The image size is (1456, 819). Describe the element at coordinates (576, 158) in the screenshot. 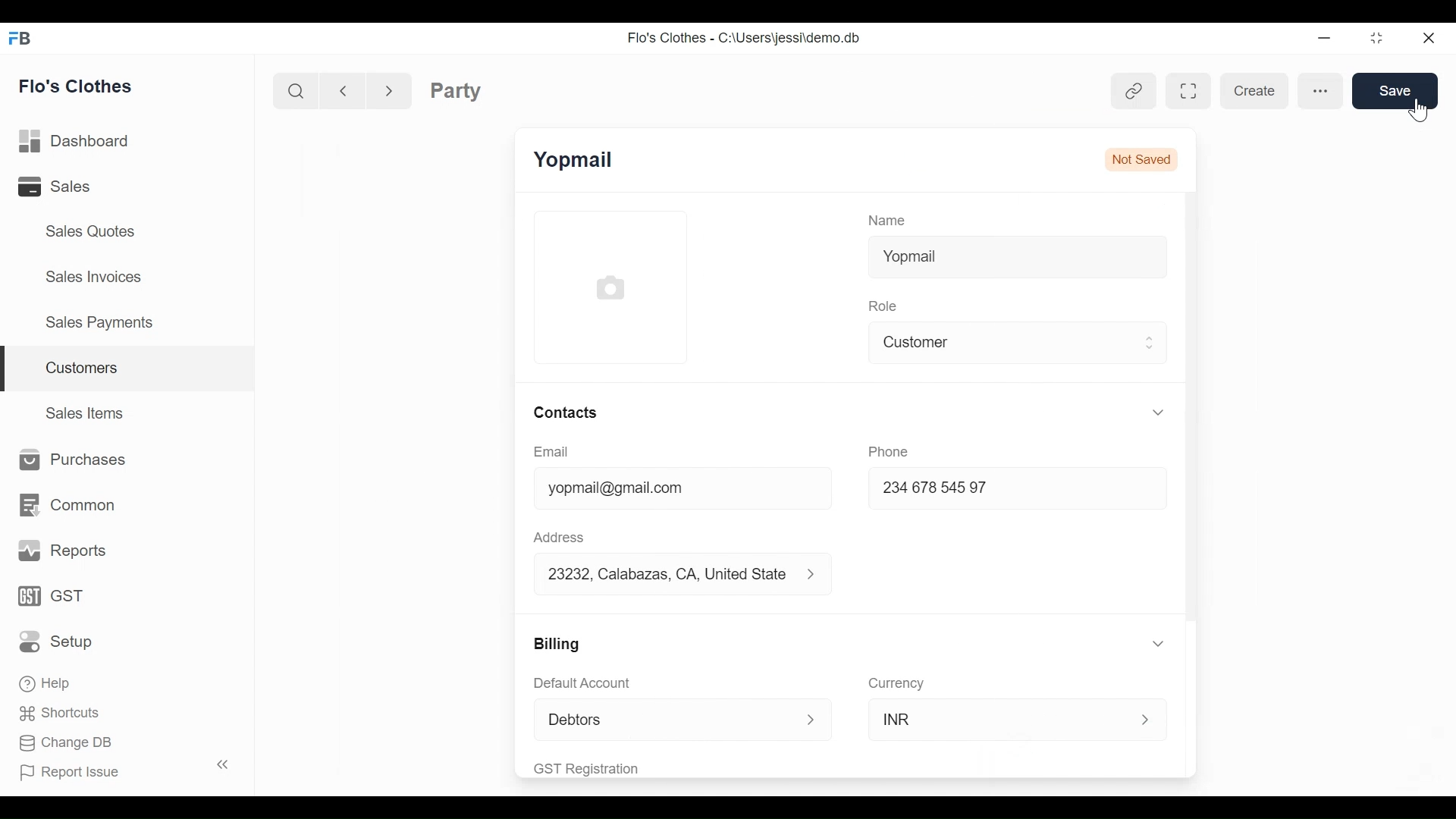

I see `Yopmail` at that location.